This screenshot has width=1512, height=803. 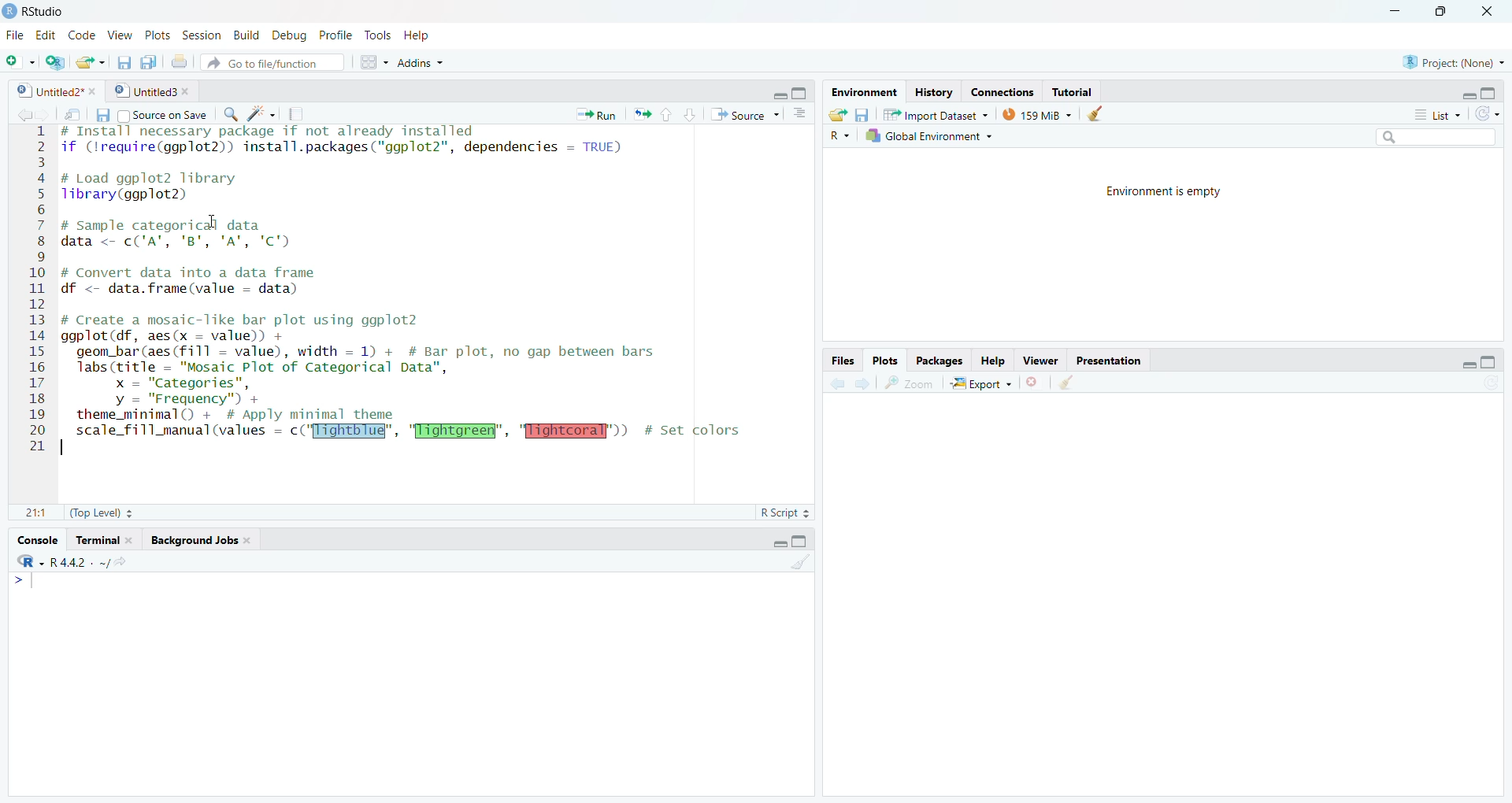 I want to click on Go to file/function, so click(x=271, y=65).